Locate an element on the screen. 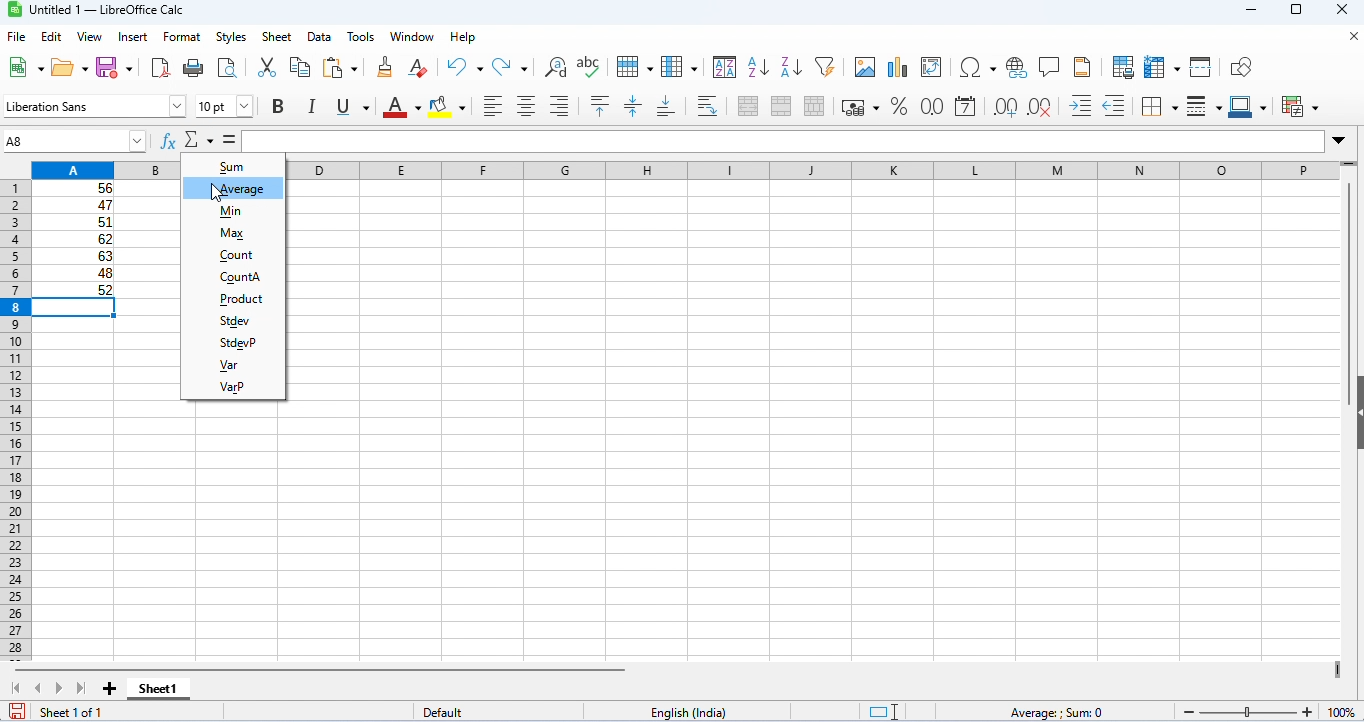  cut is located at coordinates (266, 66).